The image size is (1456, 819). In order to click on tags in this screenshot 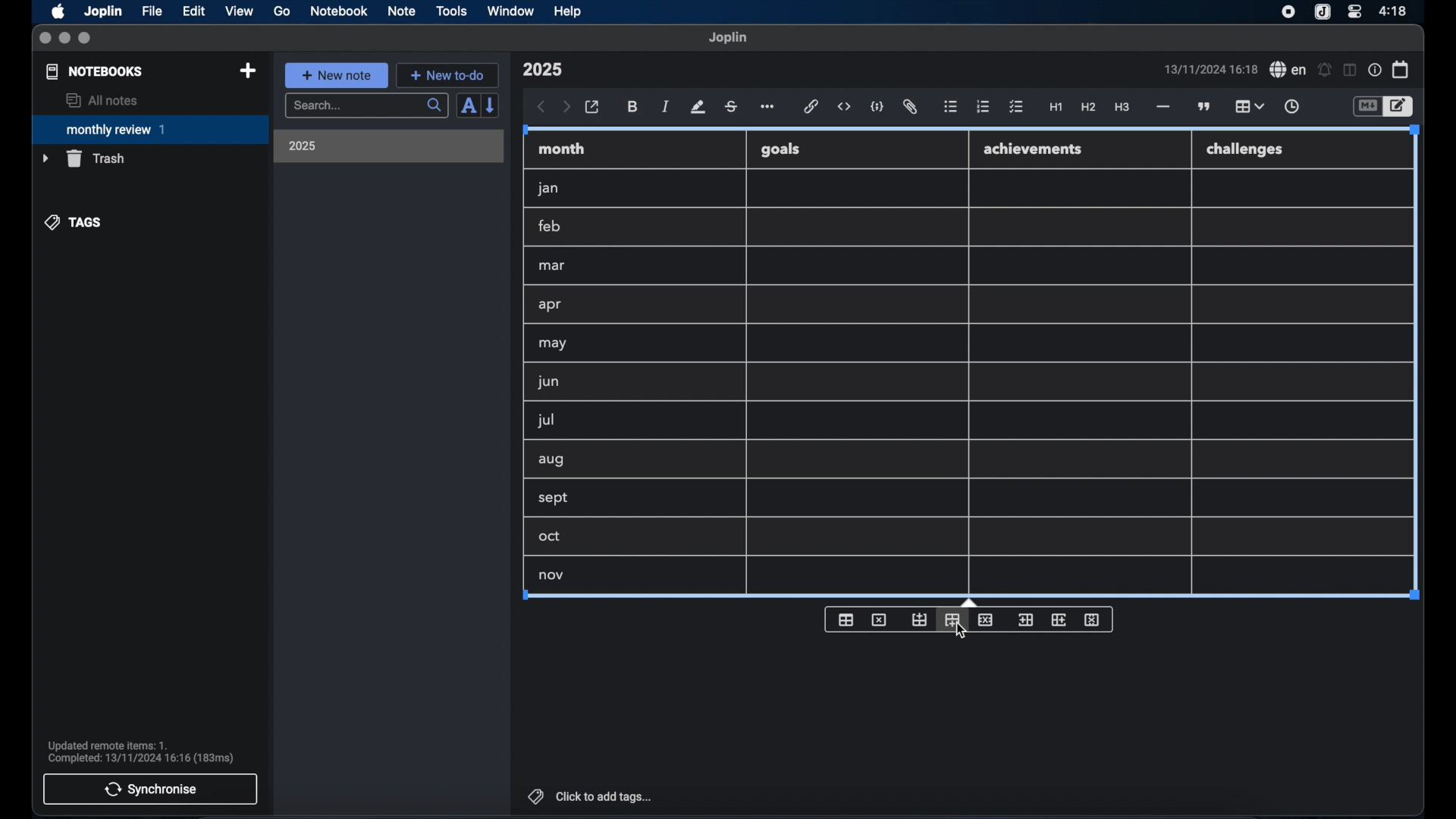, I will do `click(74, 222)`.